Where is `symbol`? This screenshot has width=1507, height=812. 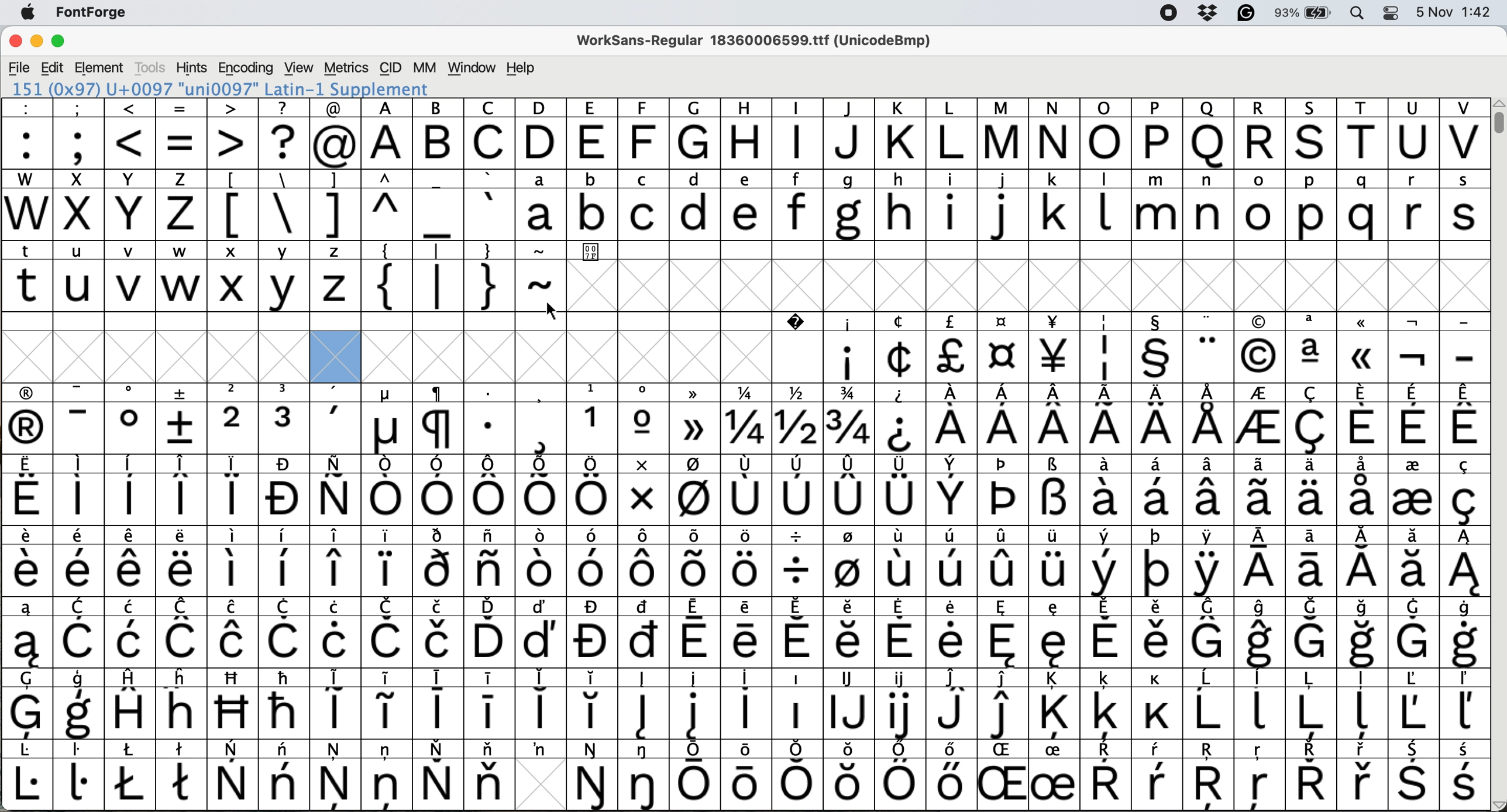
symbol is located at coordinates (1004, 704).